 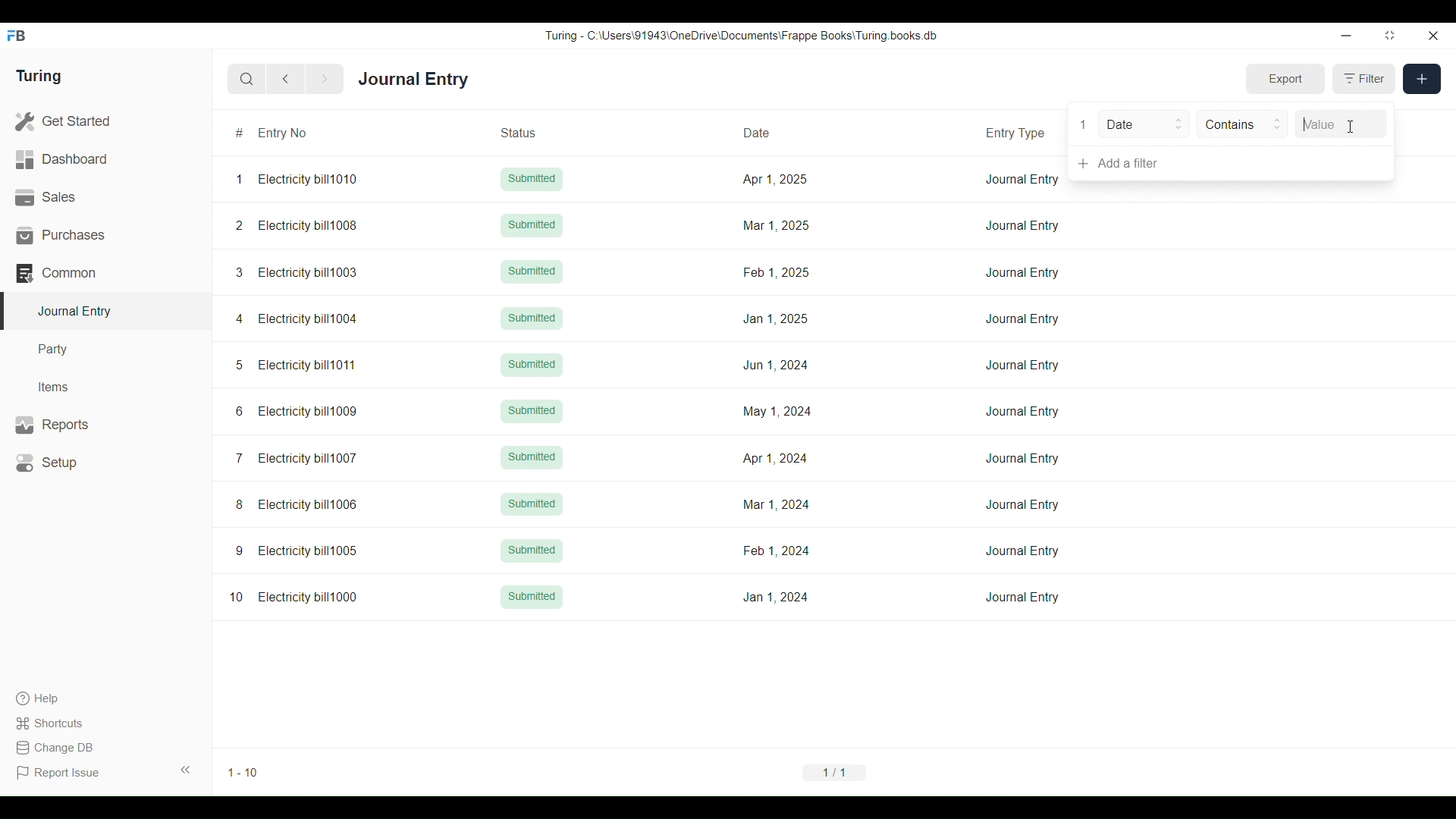 I want to click on 7 Electricity bill1007, so click(x=296, y=458).